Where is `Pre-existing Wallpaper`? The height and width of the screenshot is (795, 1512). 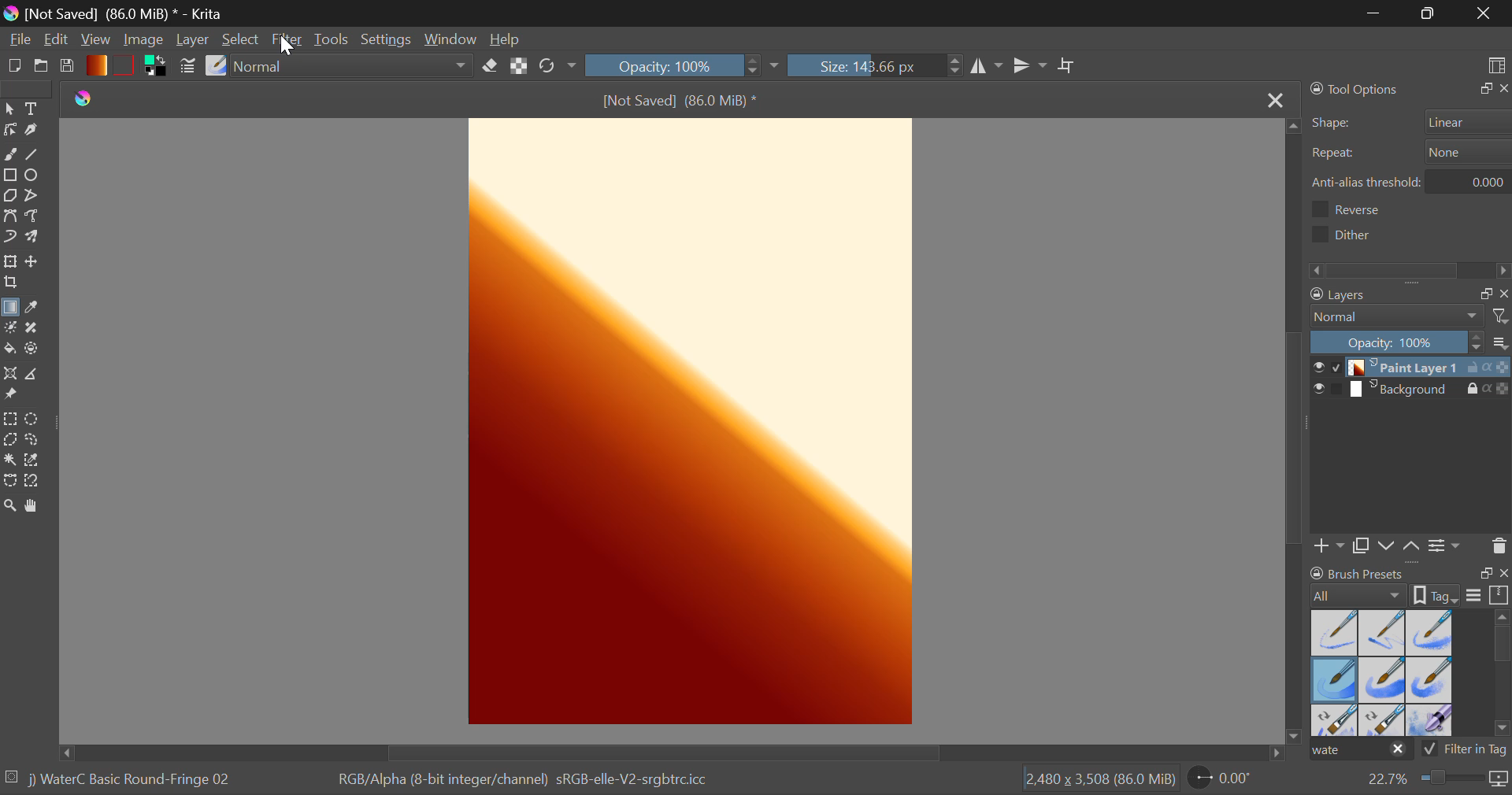
Pre-existing Wallpaper is located at coordinates (689, 423).